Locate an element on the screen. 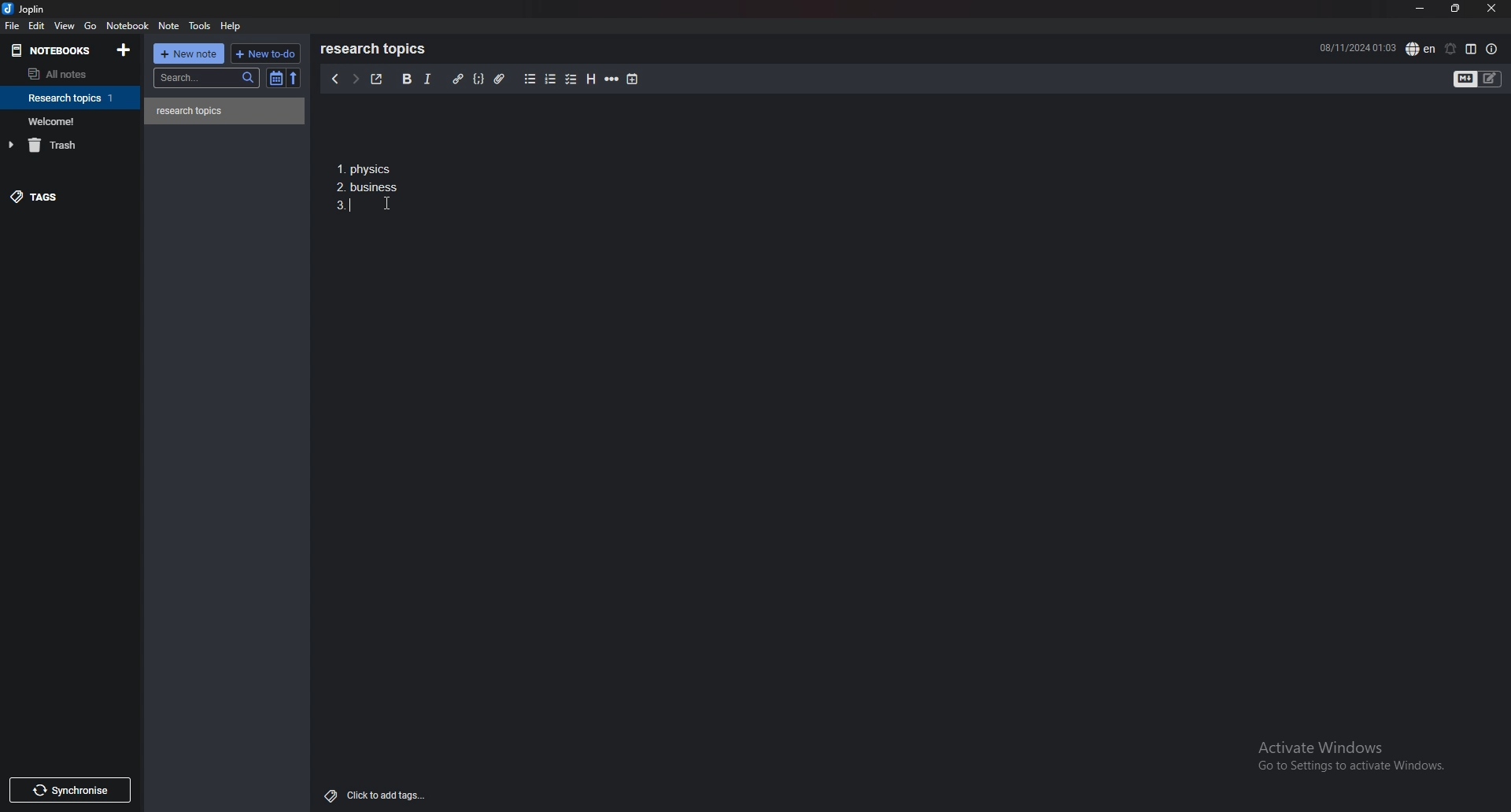 Image resolution: width=1511 pixels, height=812 pixels. set alarm is located at coordinates (1449, 49).